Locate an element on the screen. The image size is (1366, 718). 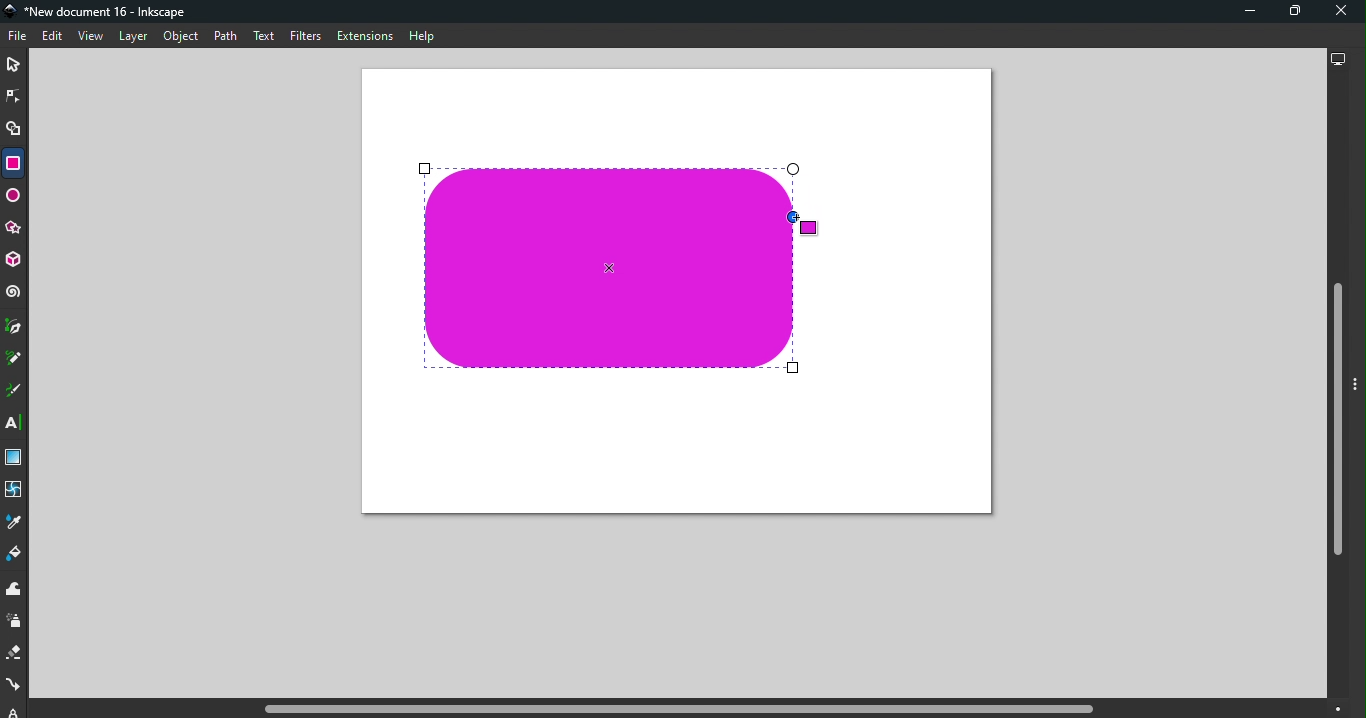
Maximize is located at coordinates (1288, 14).